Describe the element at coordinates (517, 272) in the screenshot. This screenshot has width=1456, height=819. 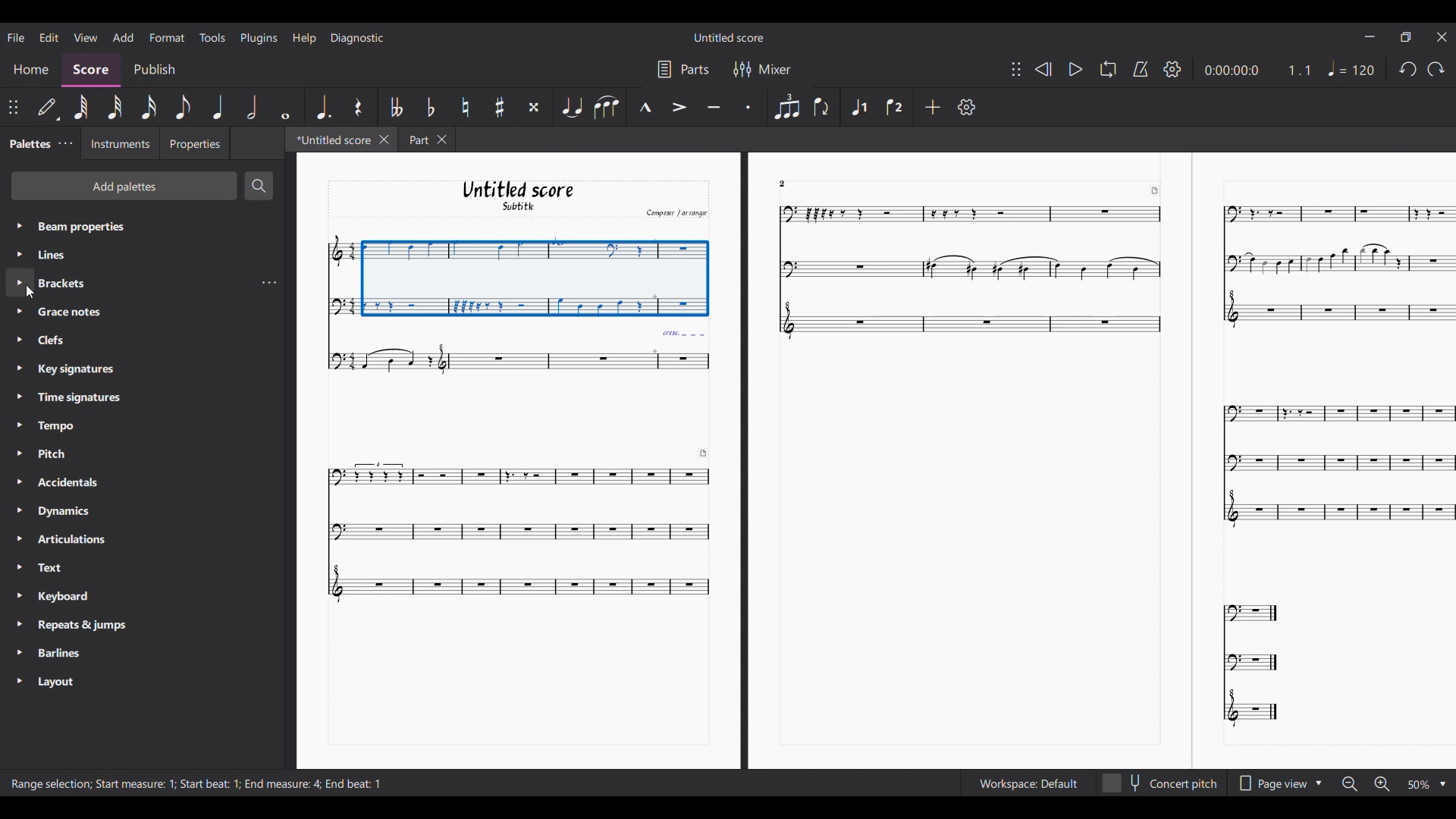
I see `Selection made by cursor` at that location.